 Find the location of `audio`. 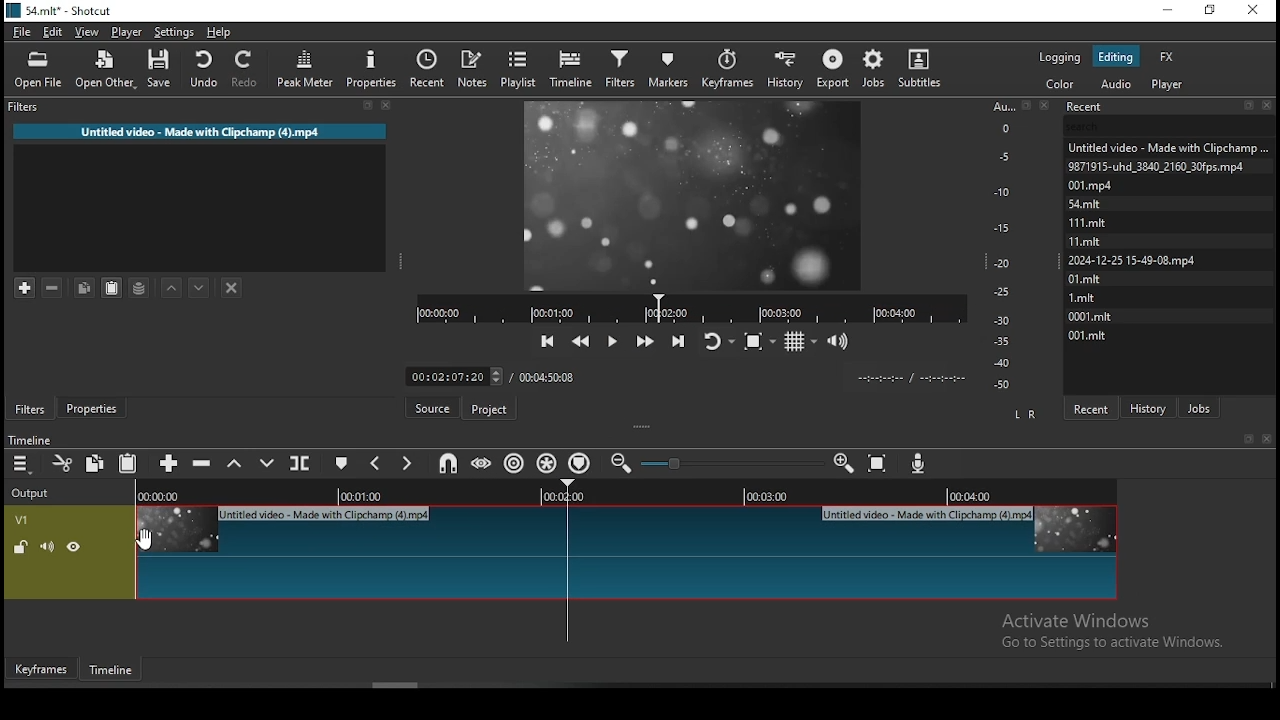

audio is located at coordinates (1117, 83).